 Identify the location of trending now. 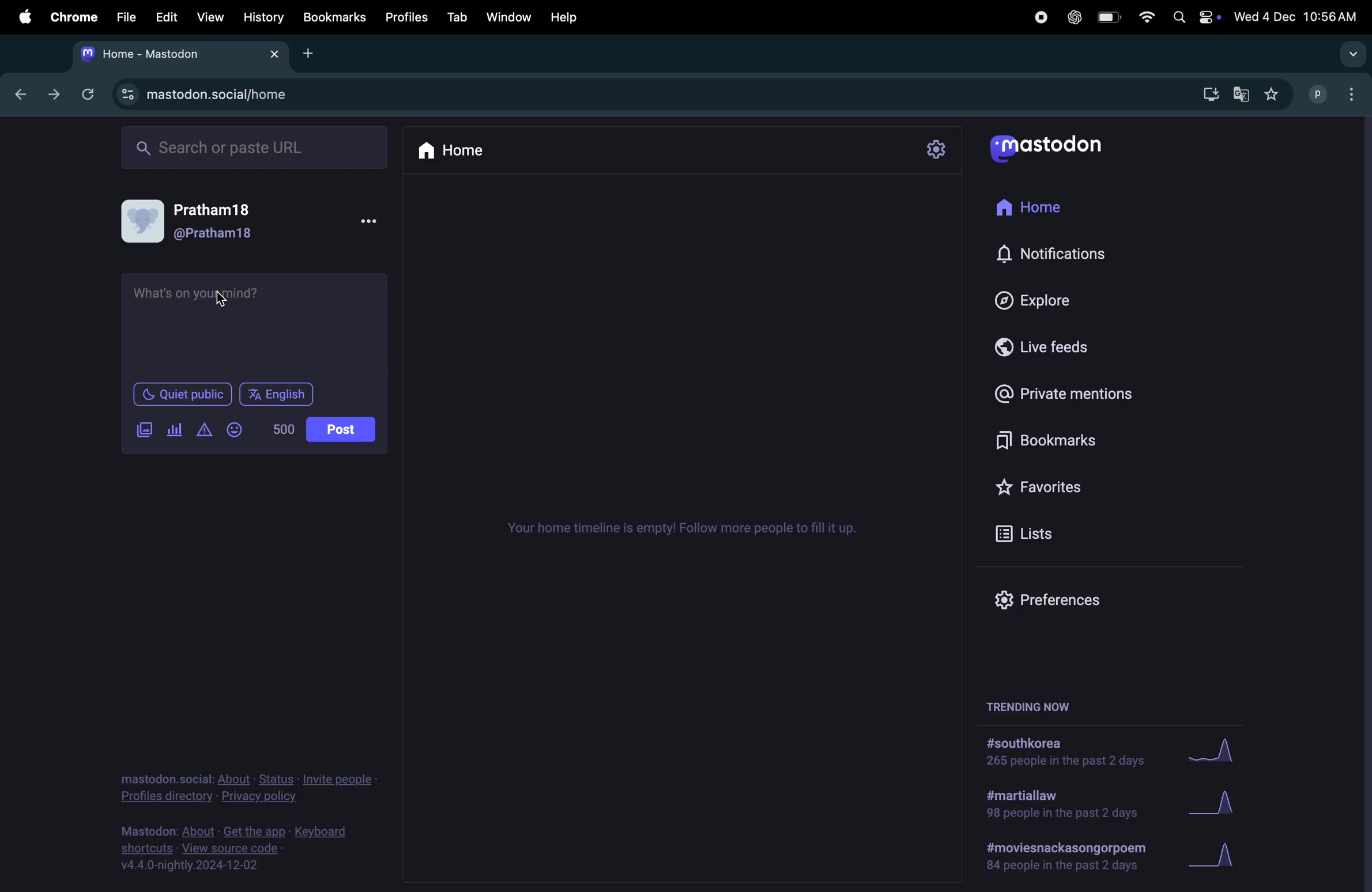
(1032, 705).